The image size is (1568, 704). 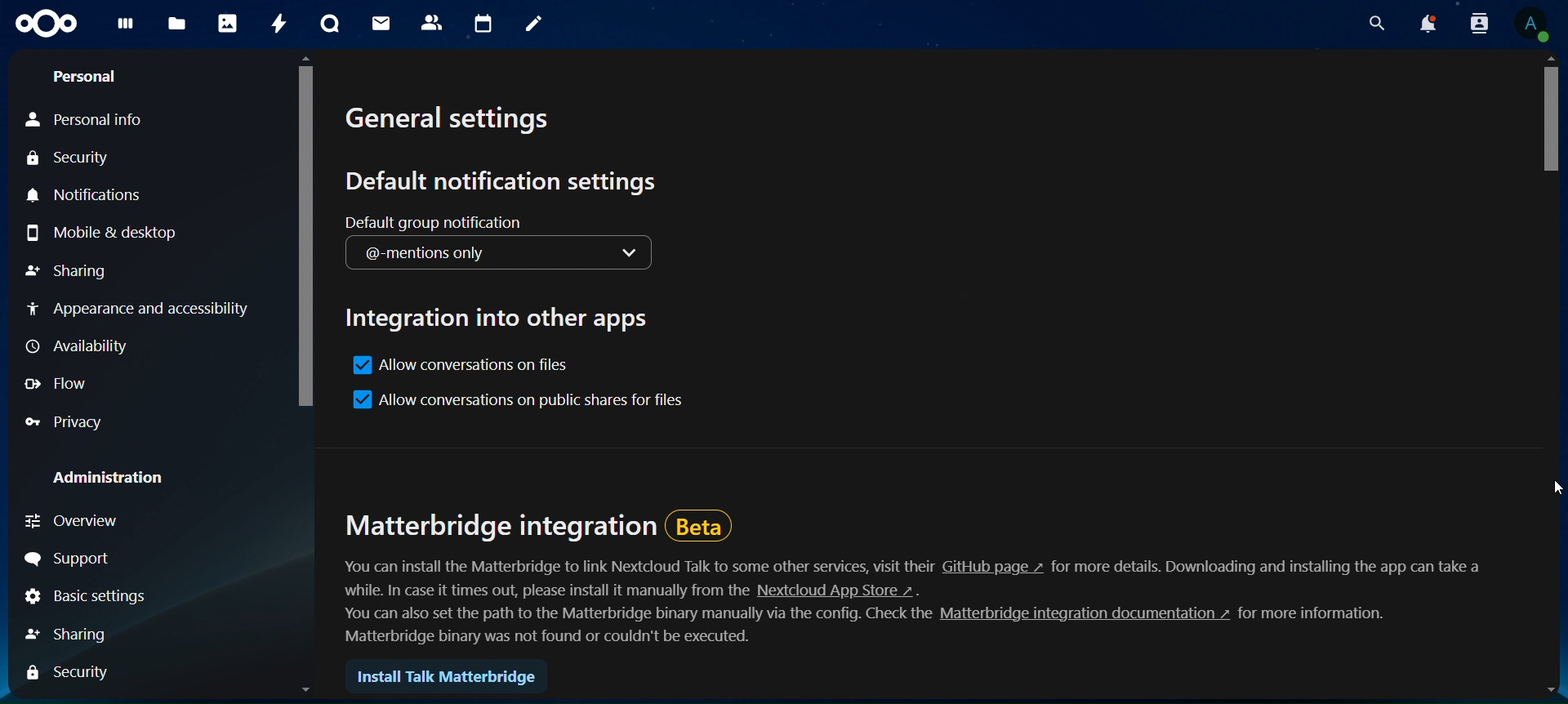 What do you see at coordinates (1543, 489) in the screenshot?
I see `cursor` at bounding box center [1543, 489].